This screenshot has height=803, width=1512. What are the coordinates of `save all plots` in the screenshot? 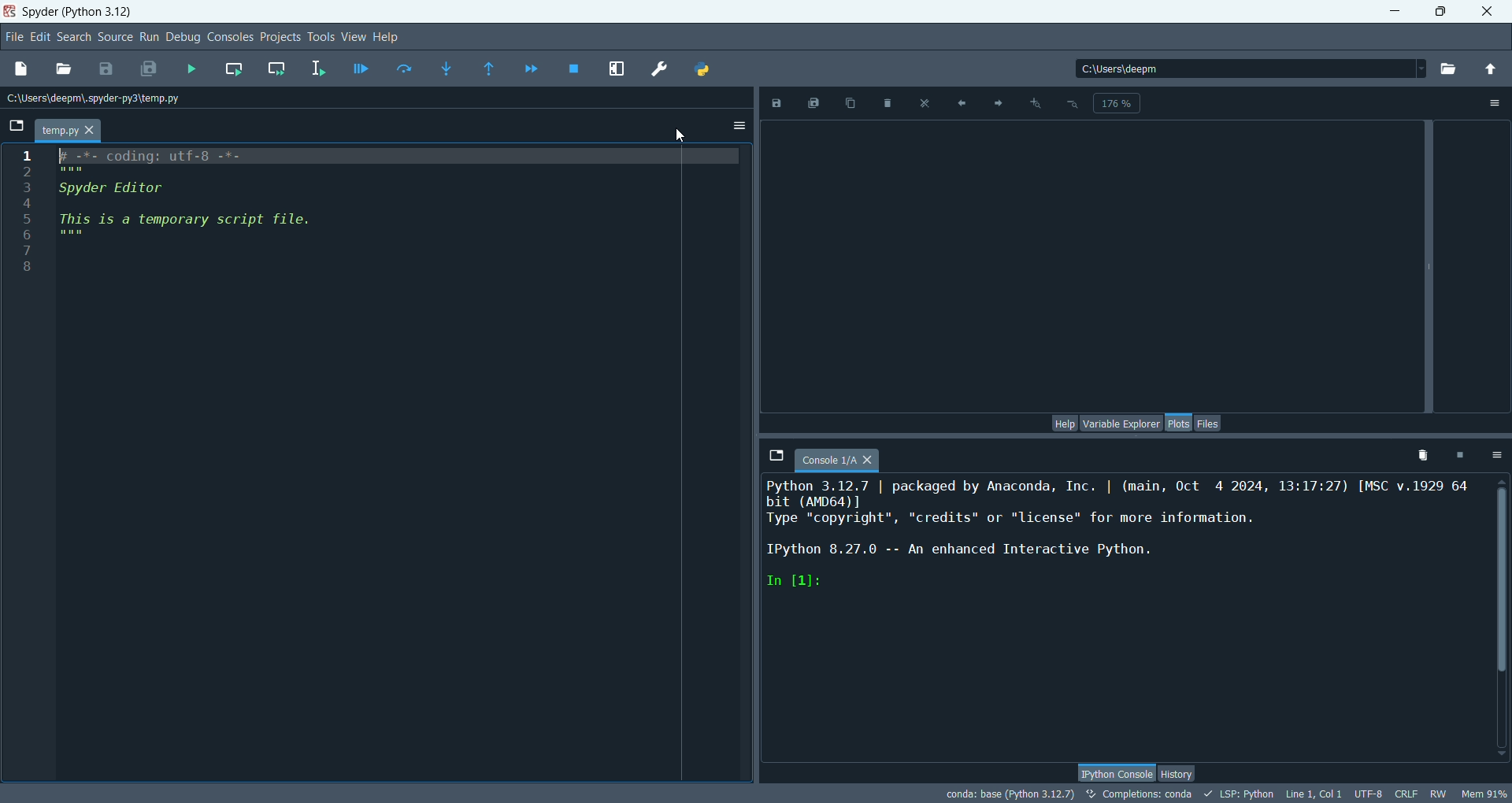 It's located at (816, 102).